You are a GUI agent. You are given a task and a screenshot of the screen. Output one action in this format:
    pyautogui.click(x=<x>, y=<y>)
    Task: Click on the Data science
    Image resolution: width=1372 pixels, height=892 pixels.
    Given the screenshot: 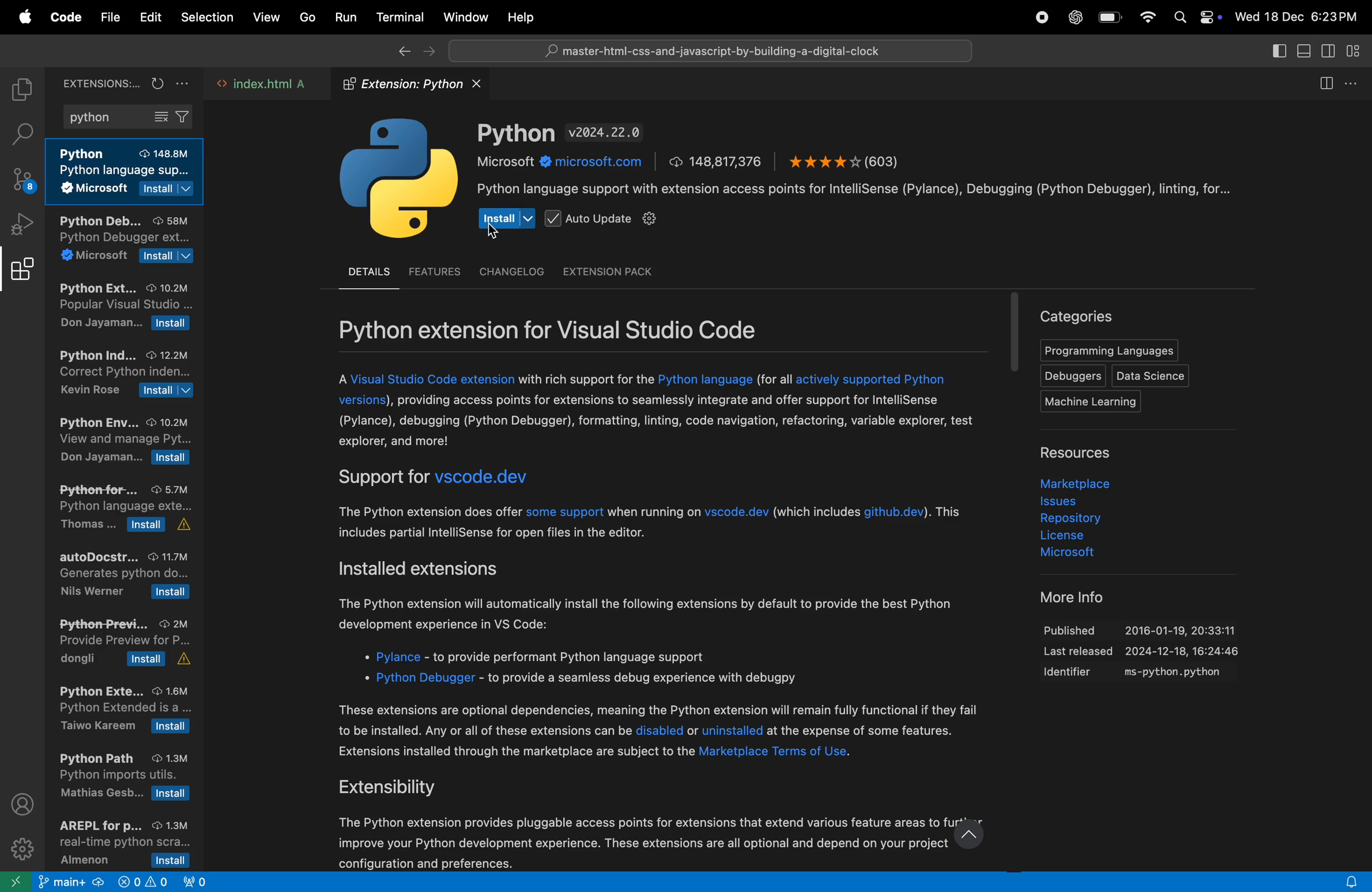 What is the action you would take?
    pyautogui.click(x=1152, y=376)
    